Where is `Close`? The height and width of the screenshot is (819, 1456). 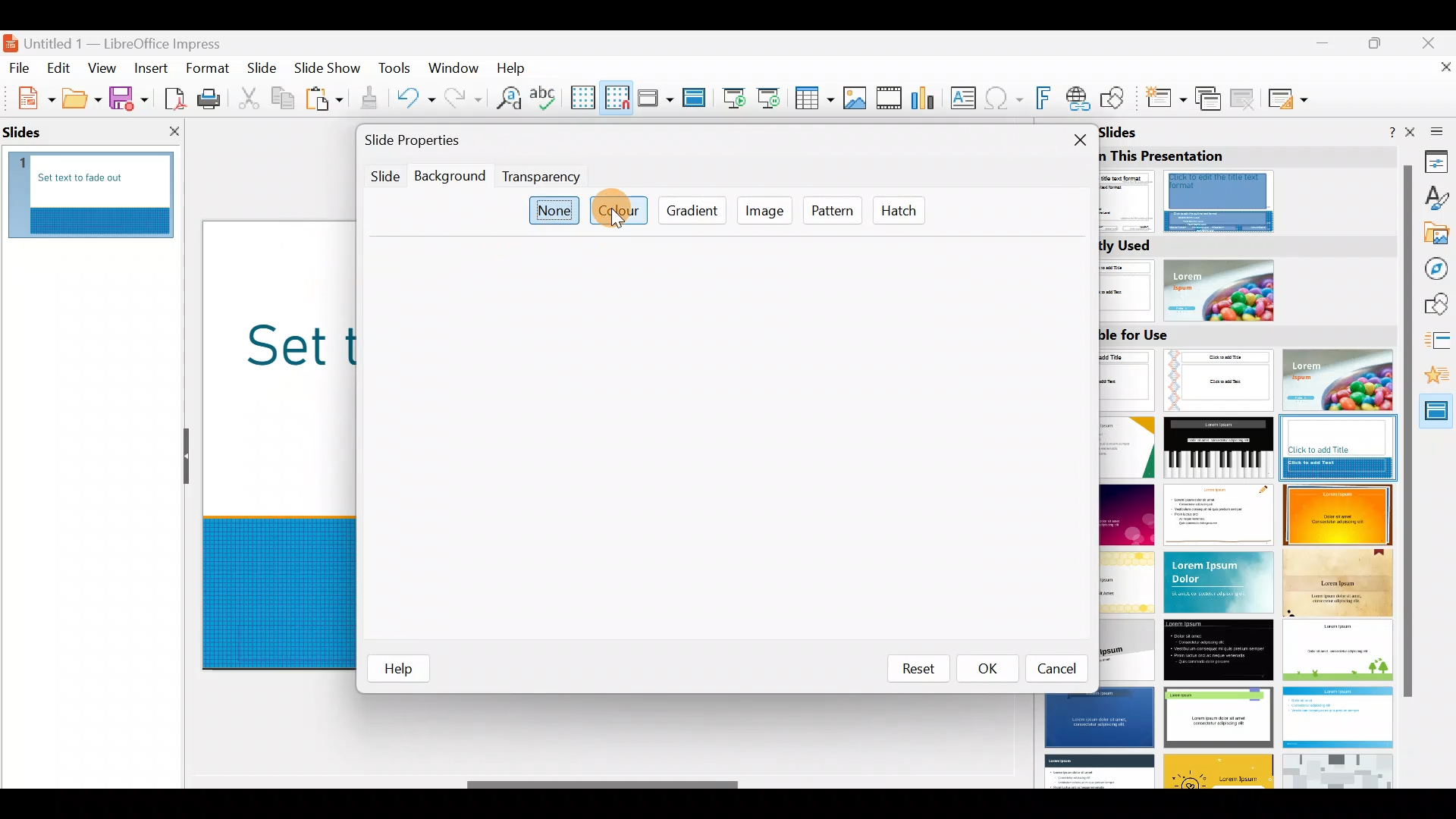
Close is located at coordinates (1075, 140).